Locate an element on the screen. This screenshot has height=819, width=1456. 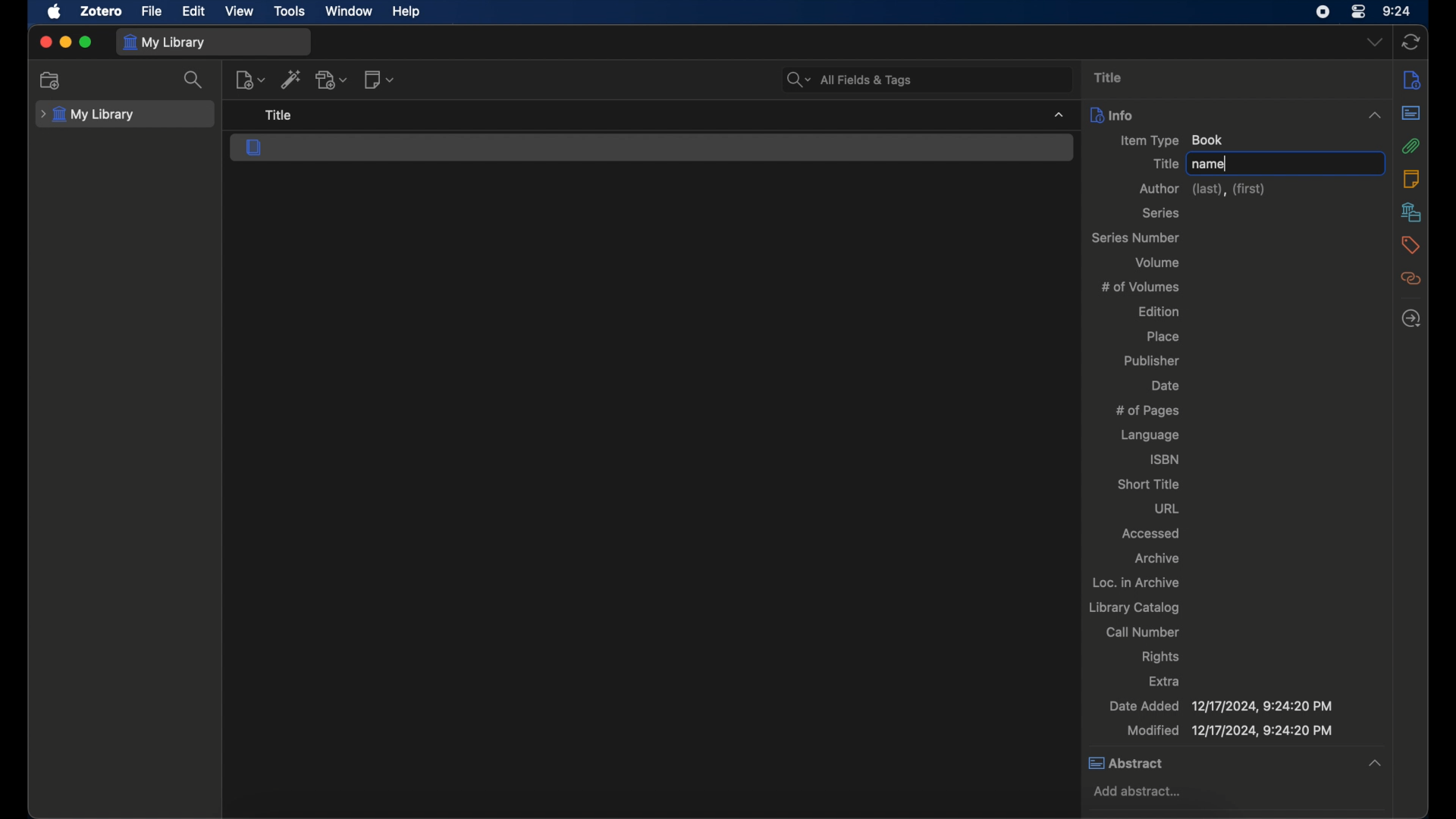
dropdown is located at coordinates (1376, 764).